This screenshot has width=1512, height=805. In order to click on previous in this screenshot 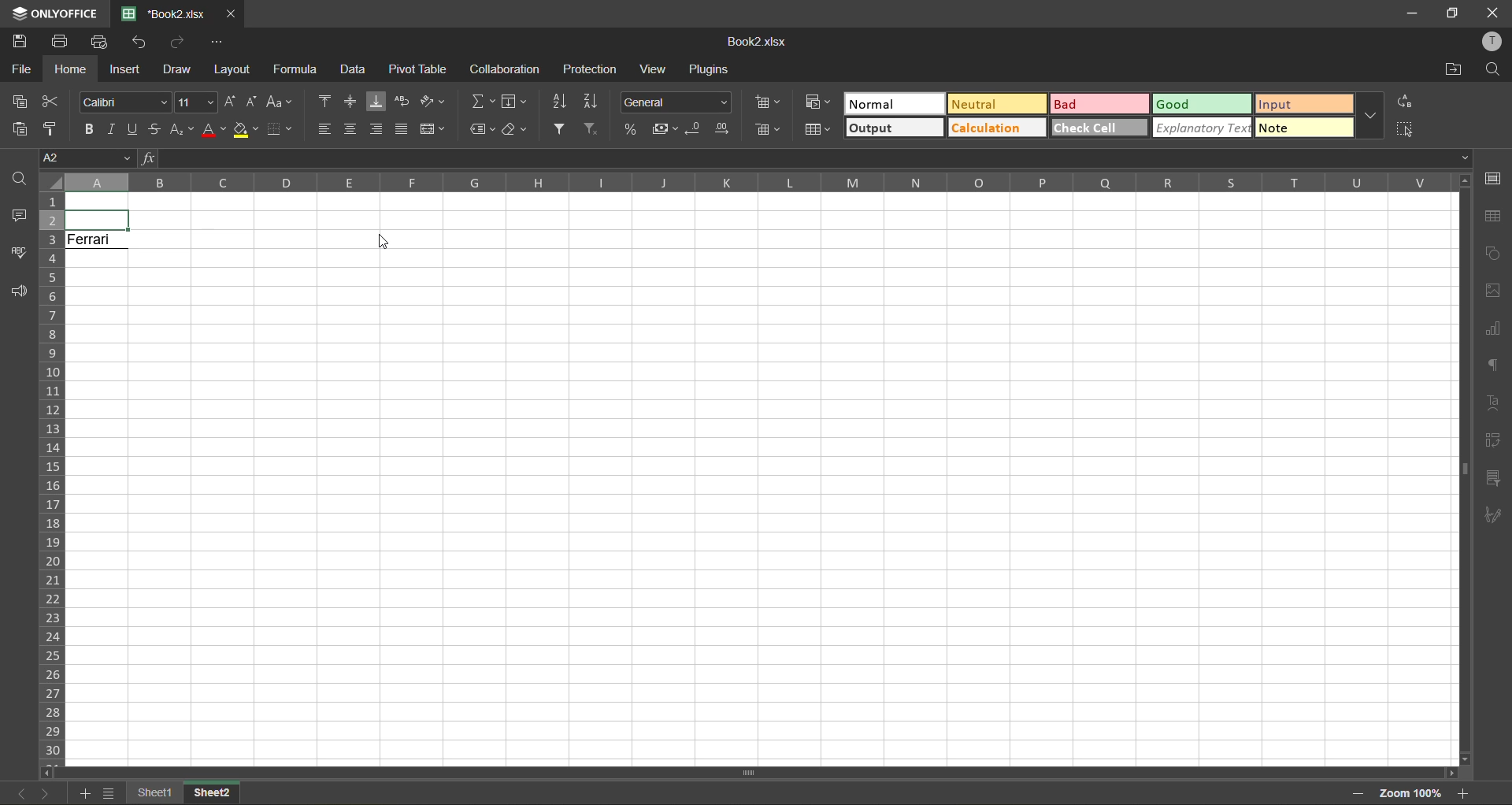, I will do `click(20, 792)`.